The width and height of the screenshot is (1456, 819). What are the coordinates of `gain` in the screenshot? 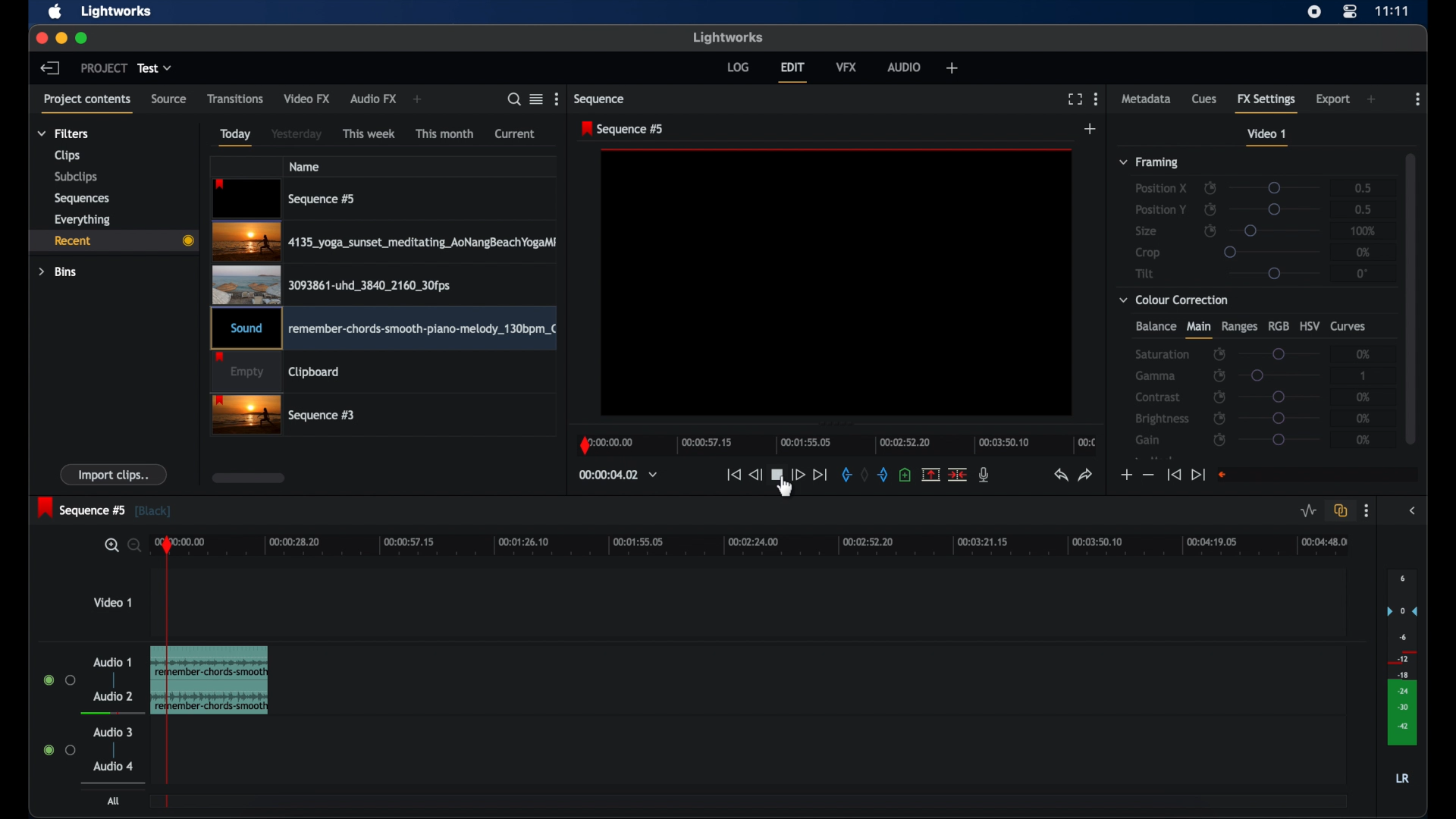 It's located at (1150, 440).